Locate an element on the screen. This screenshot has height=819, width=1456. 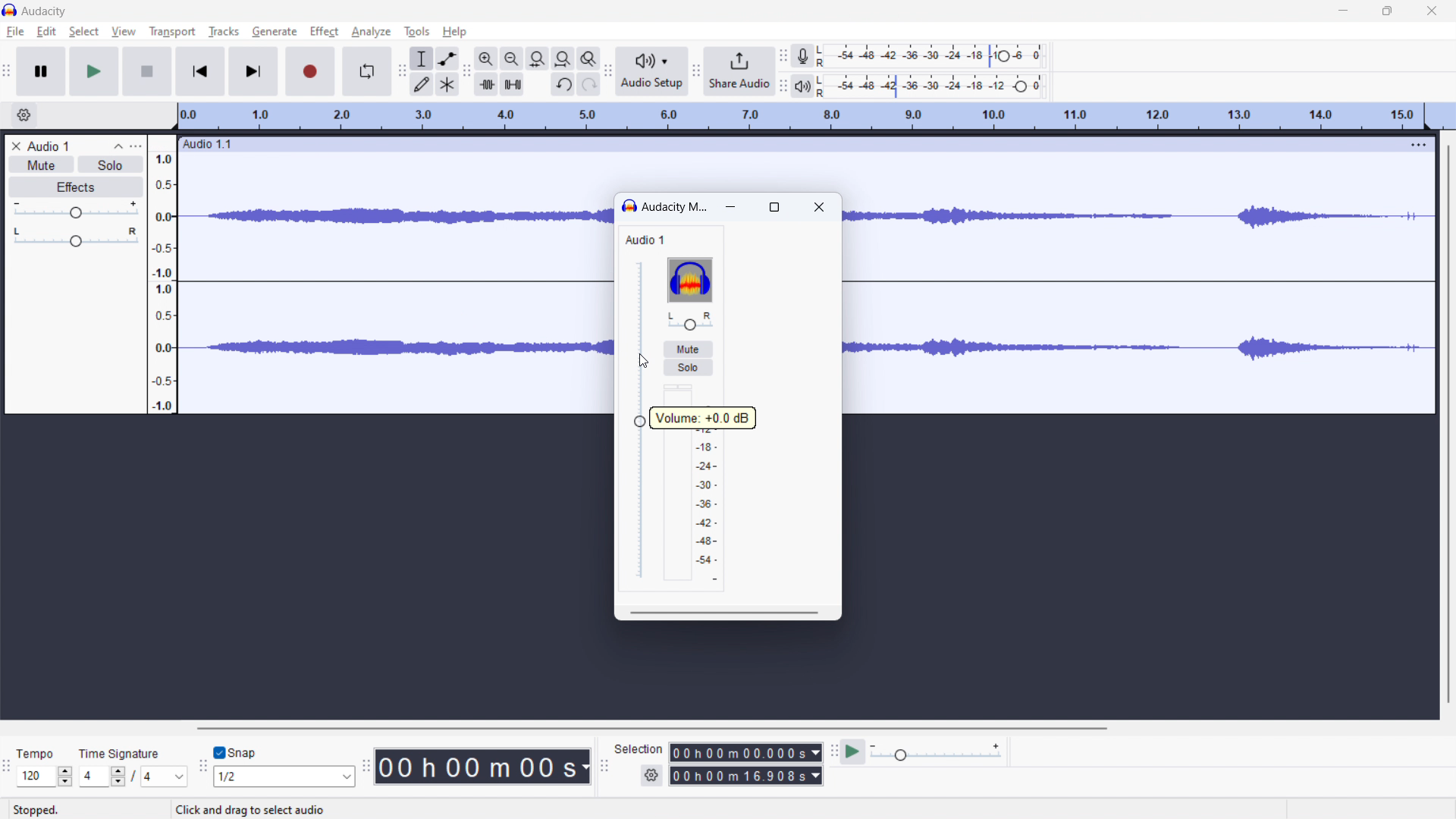
enable looping is located at coordinates (366, 71).